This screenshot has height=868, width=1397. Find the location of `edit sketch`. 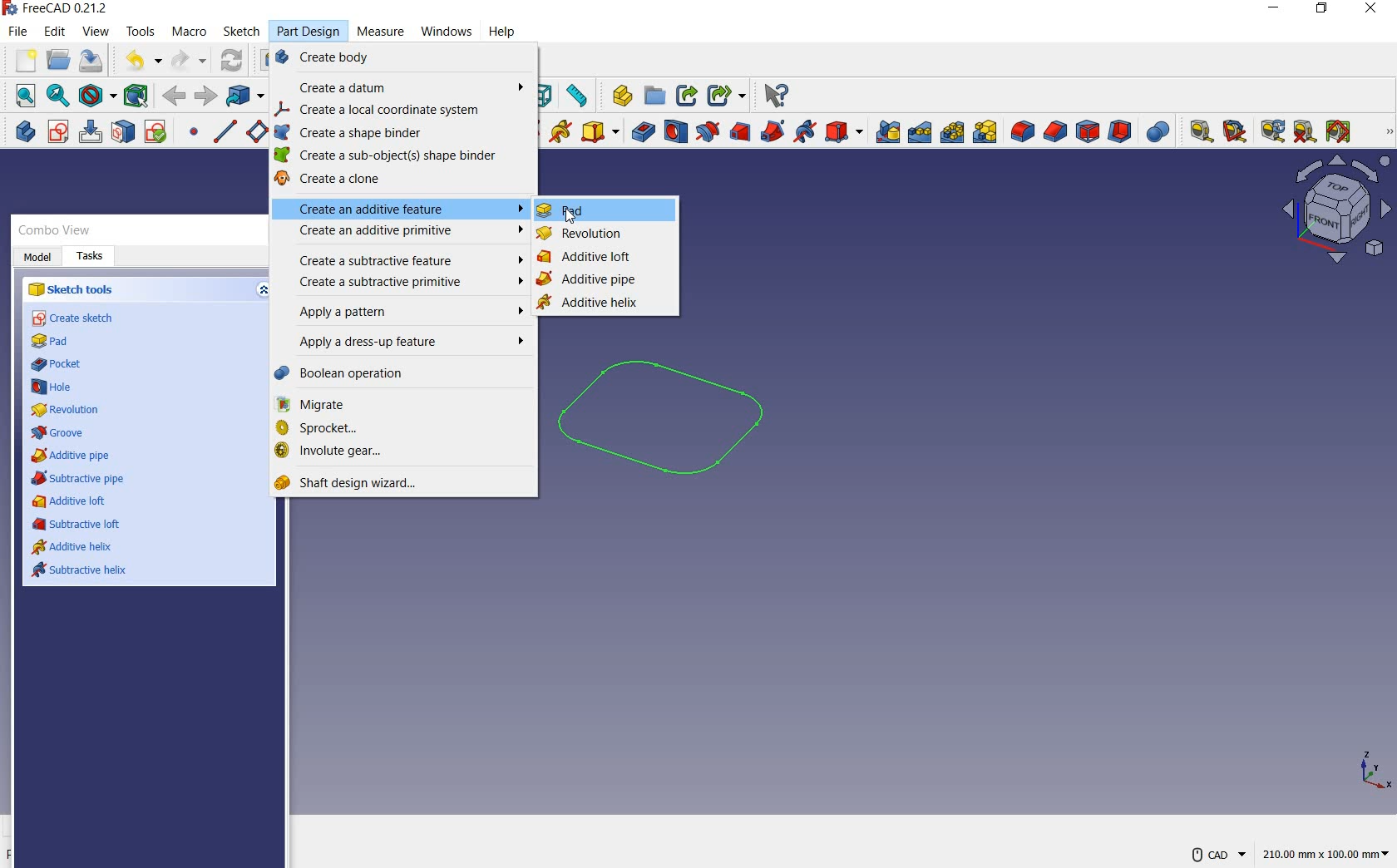

edit sketch is located at coordinates (92, 133).